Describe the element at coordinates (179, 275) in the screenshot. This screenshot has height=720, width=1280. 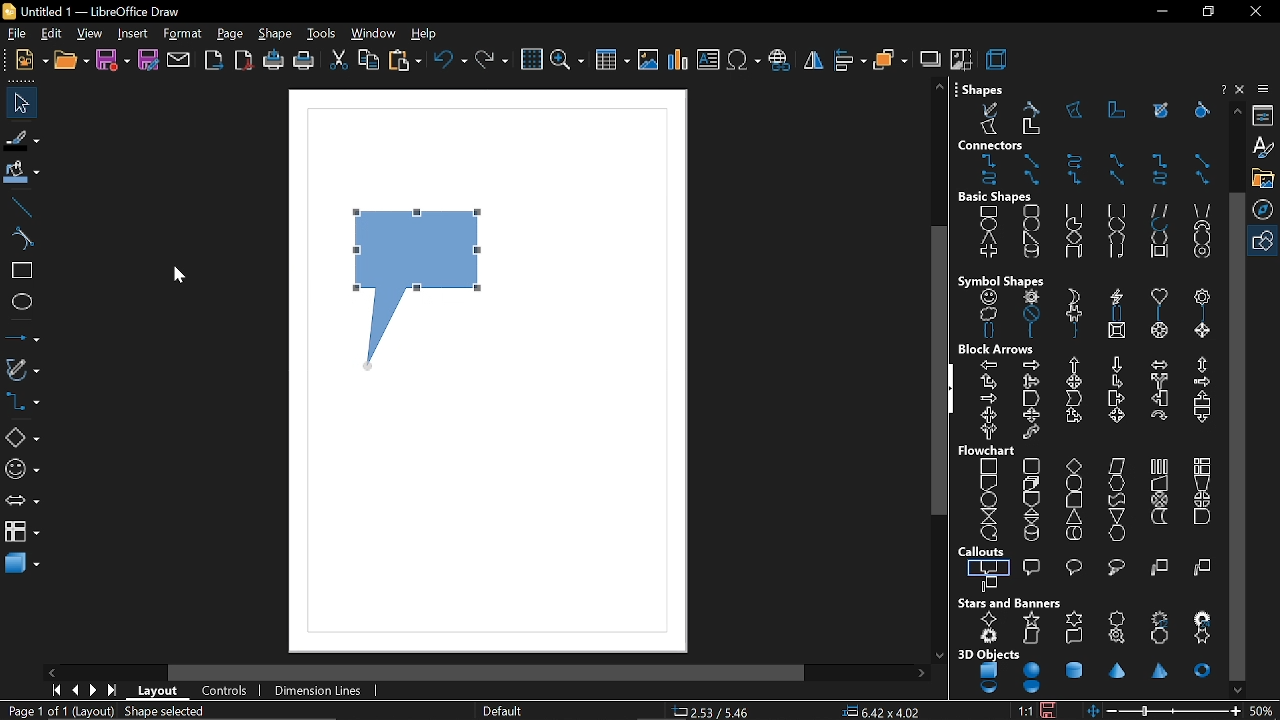
I see `cursor` at that location.